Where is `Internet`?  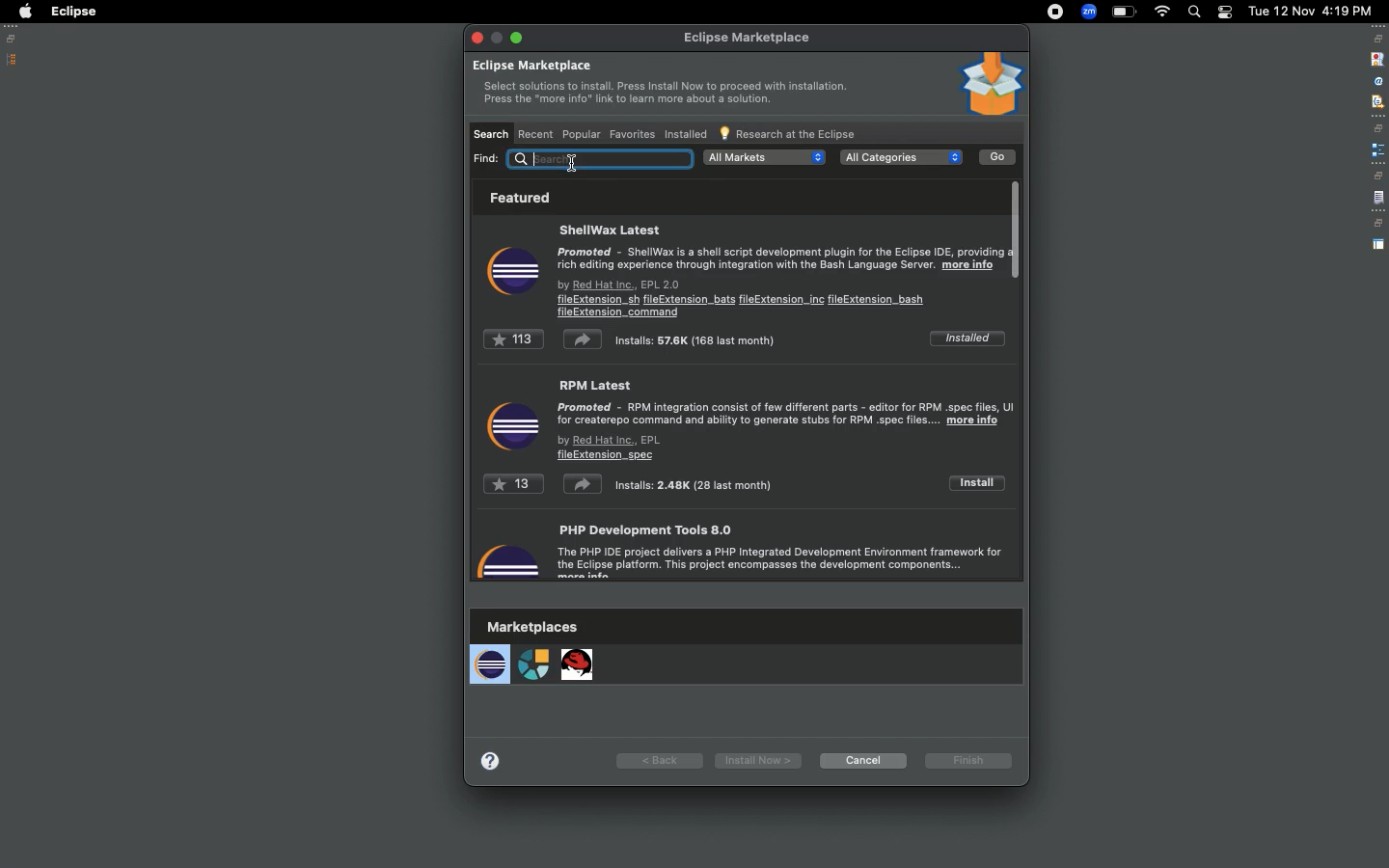
Internet is located at coordinates (1162, 14).